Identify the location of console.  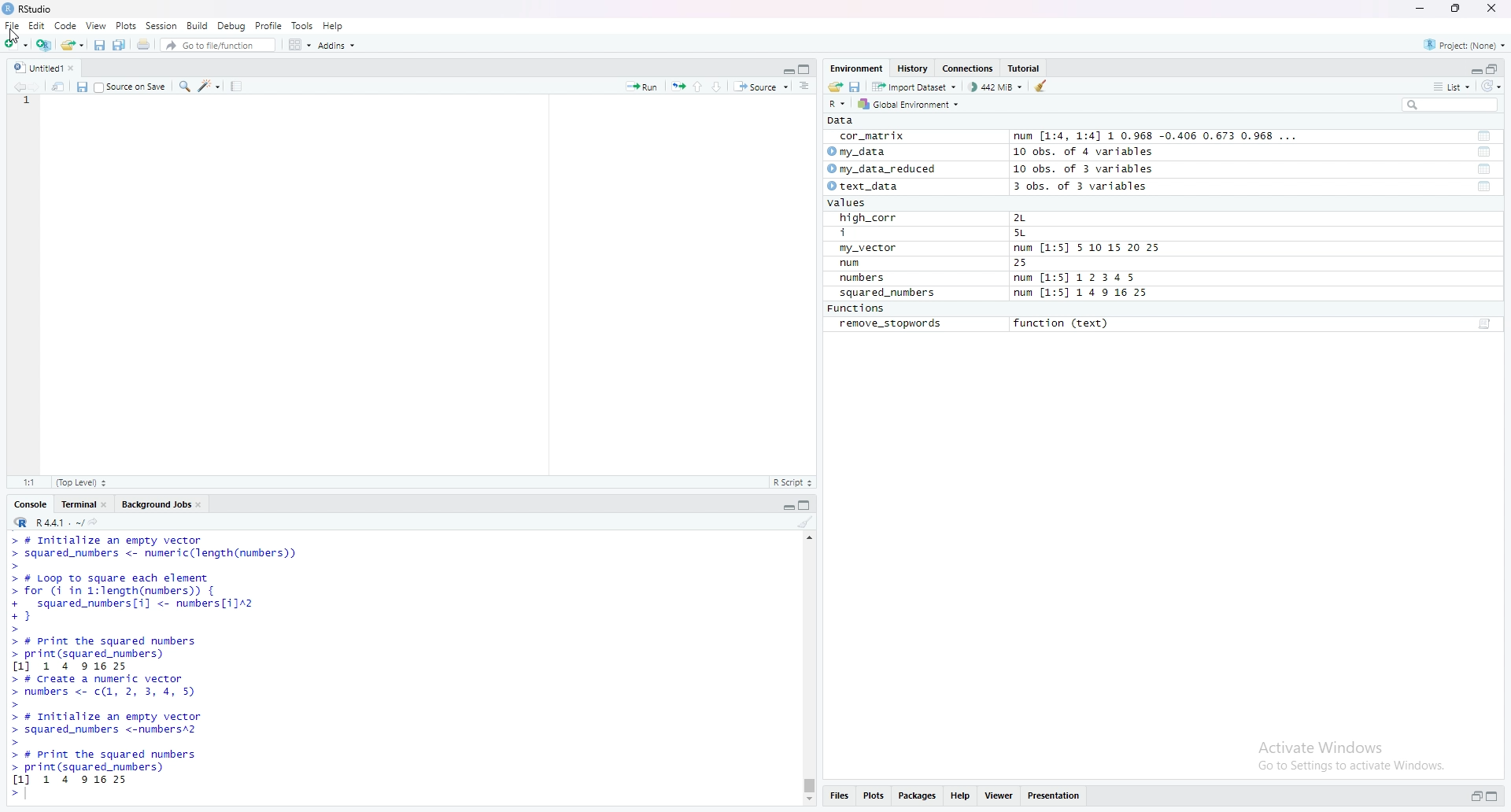
(28, 506).